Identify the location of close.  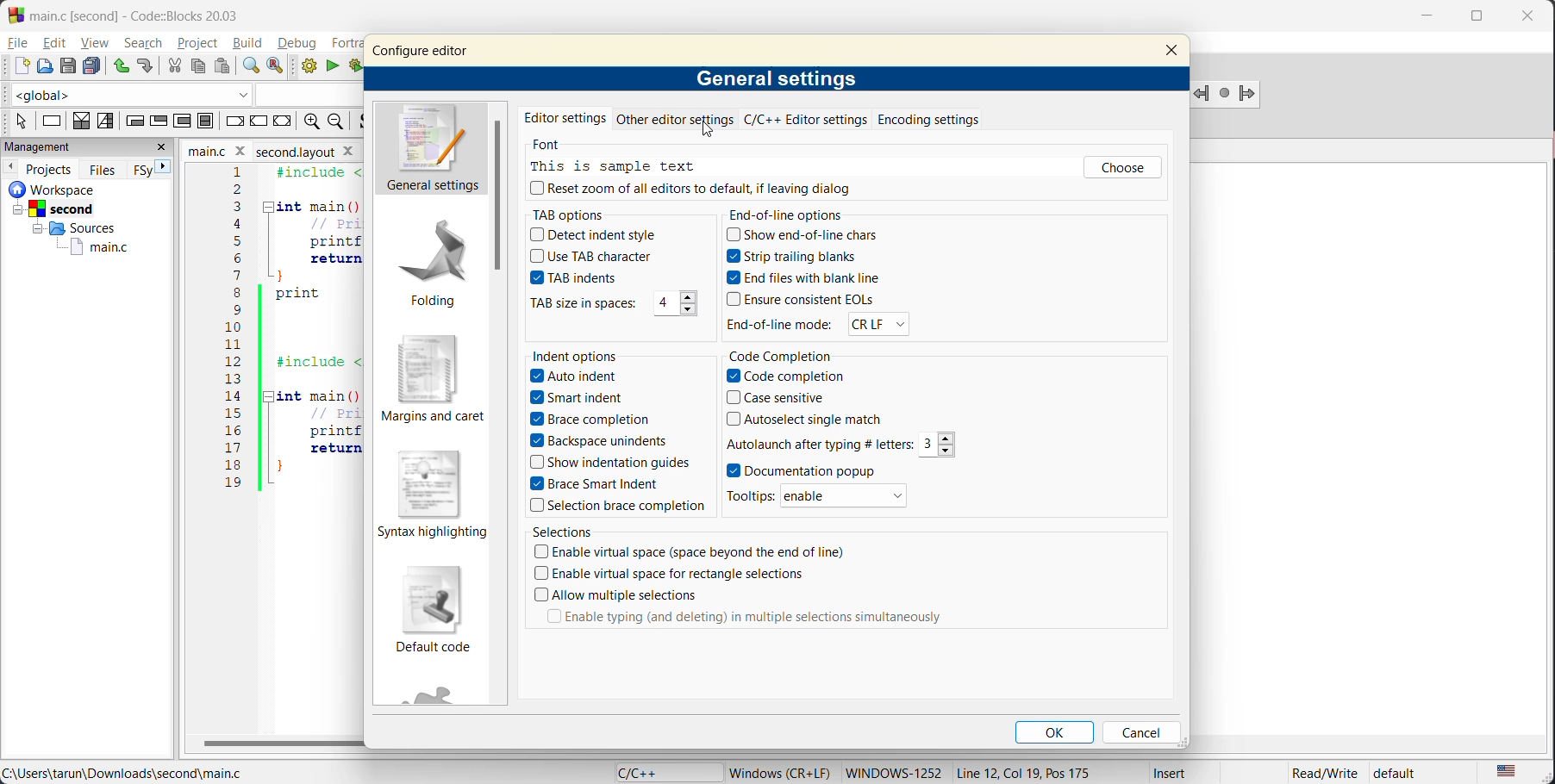
(1531, 20).